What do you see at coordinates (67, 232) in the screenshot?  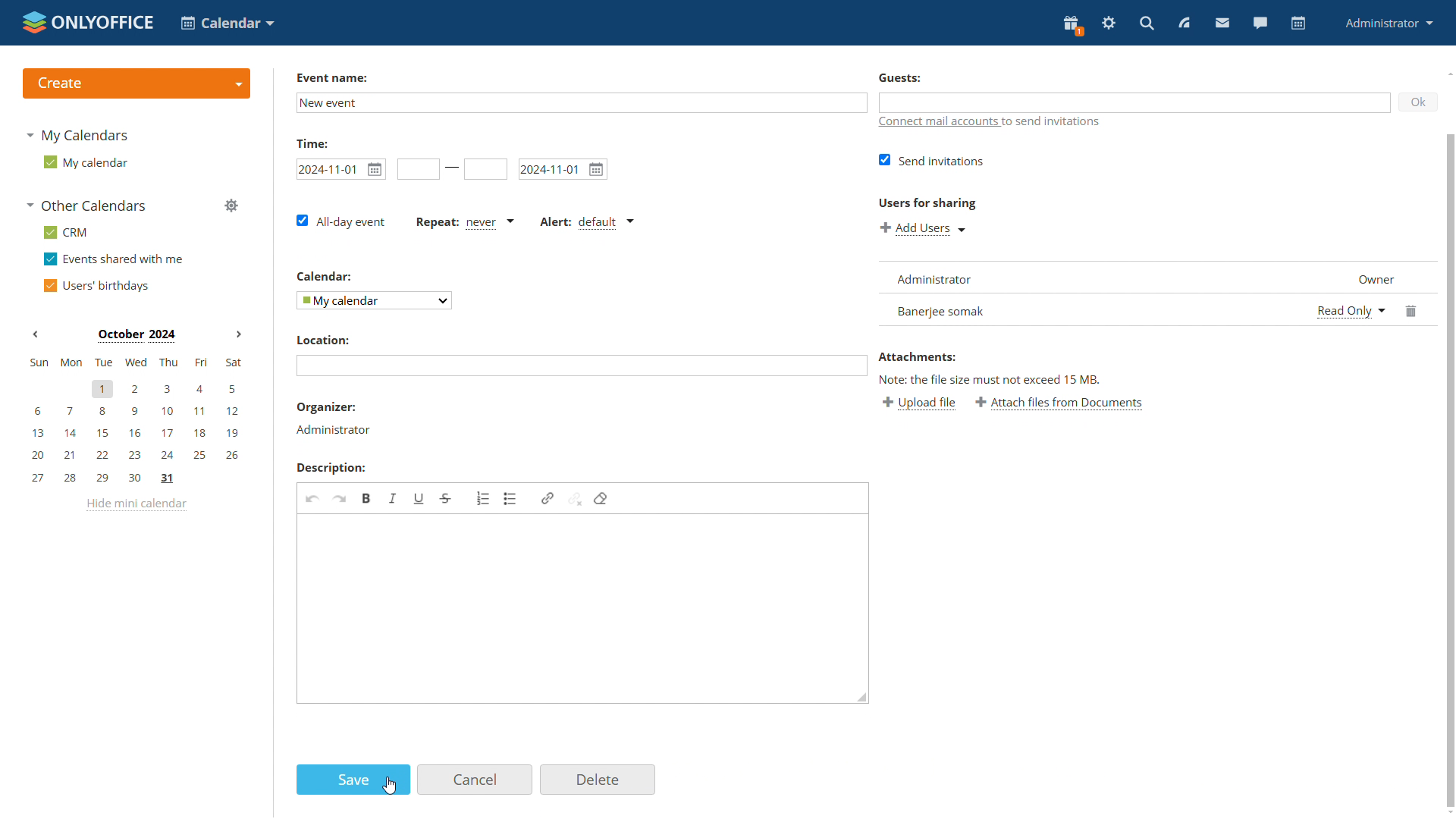 I see `crm` at bounding box center [67, 232].